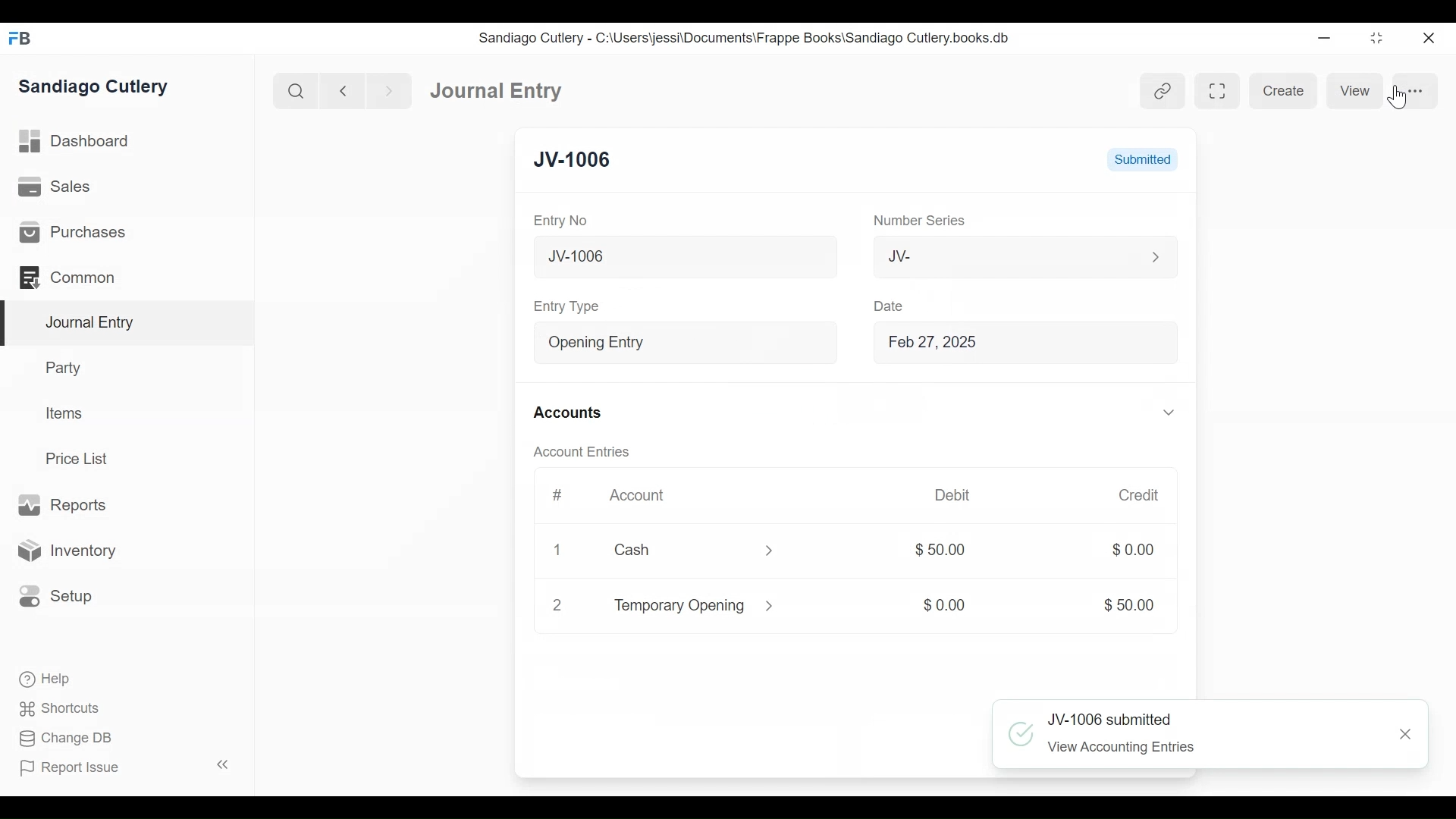  What do you see at coordinates (766, 551) in the screenshot?
I see `Expand` at bounding box center [766, 551].